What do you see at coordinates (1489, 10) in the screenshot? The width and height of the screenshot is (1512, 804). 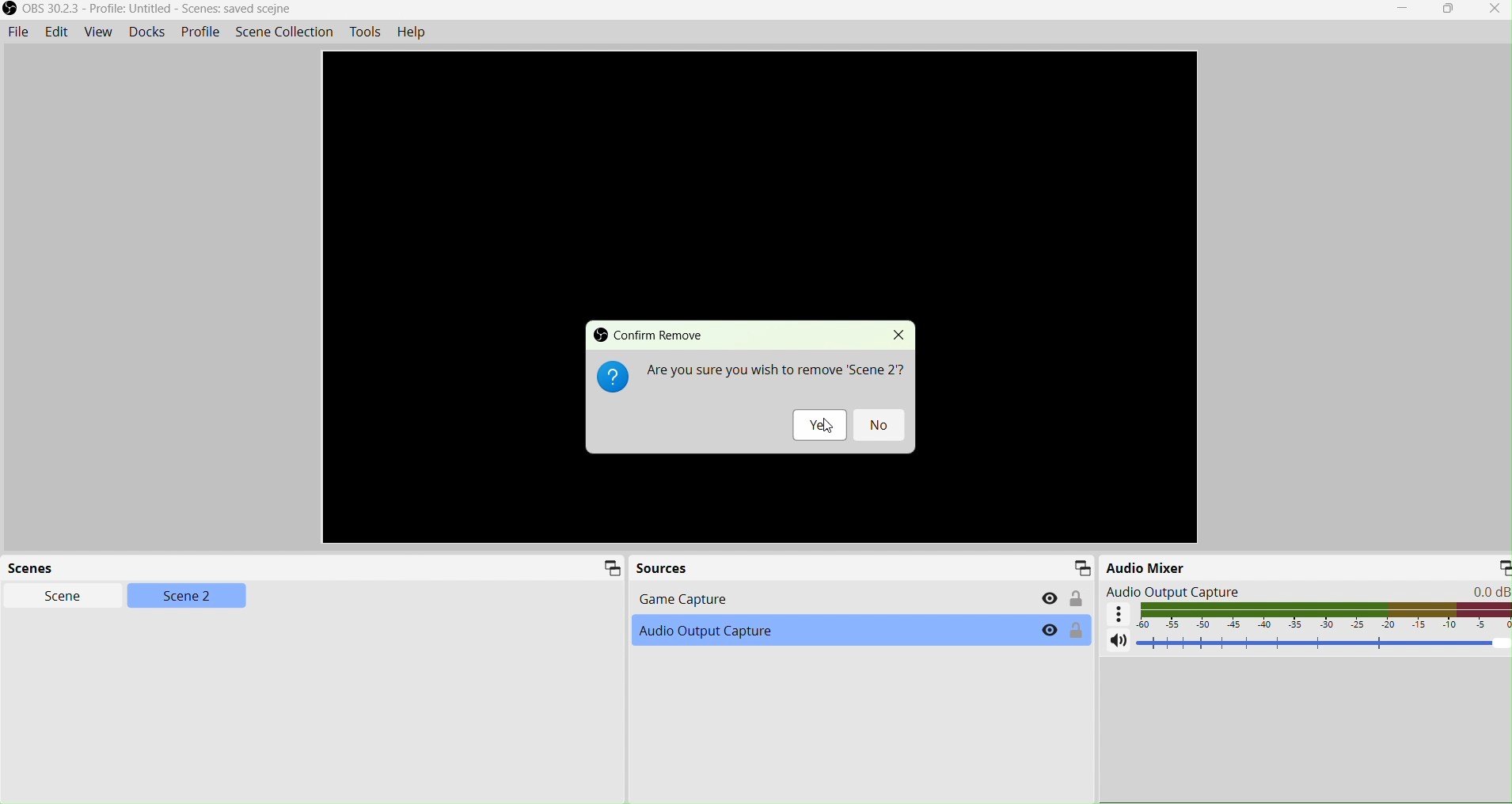 I see `Close ` at bounding box center [1489, 10].